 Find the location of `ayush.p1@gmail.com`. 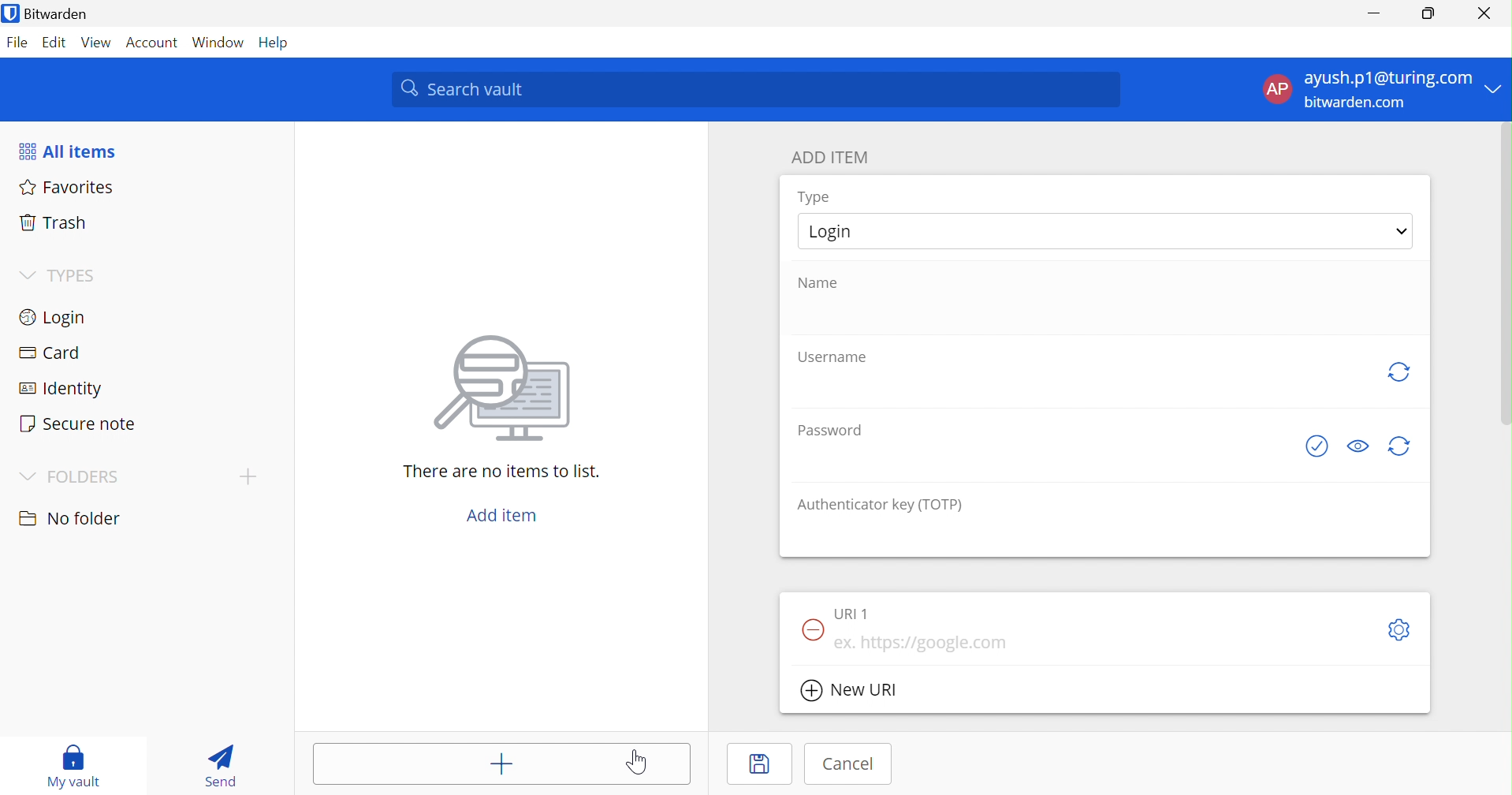

ayush.p1@gmail.com is located at coordinates (1386, 80).